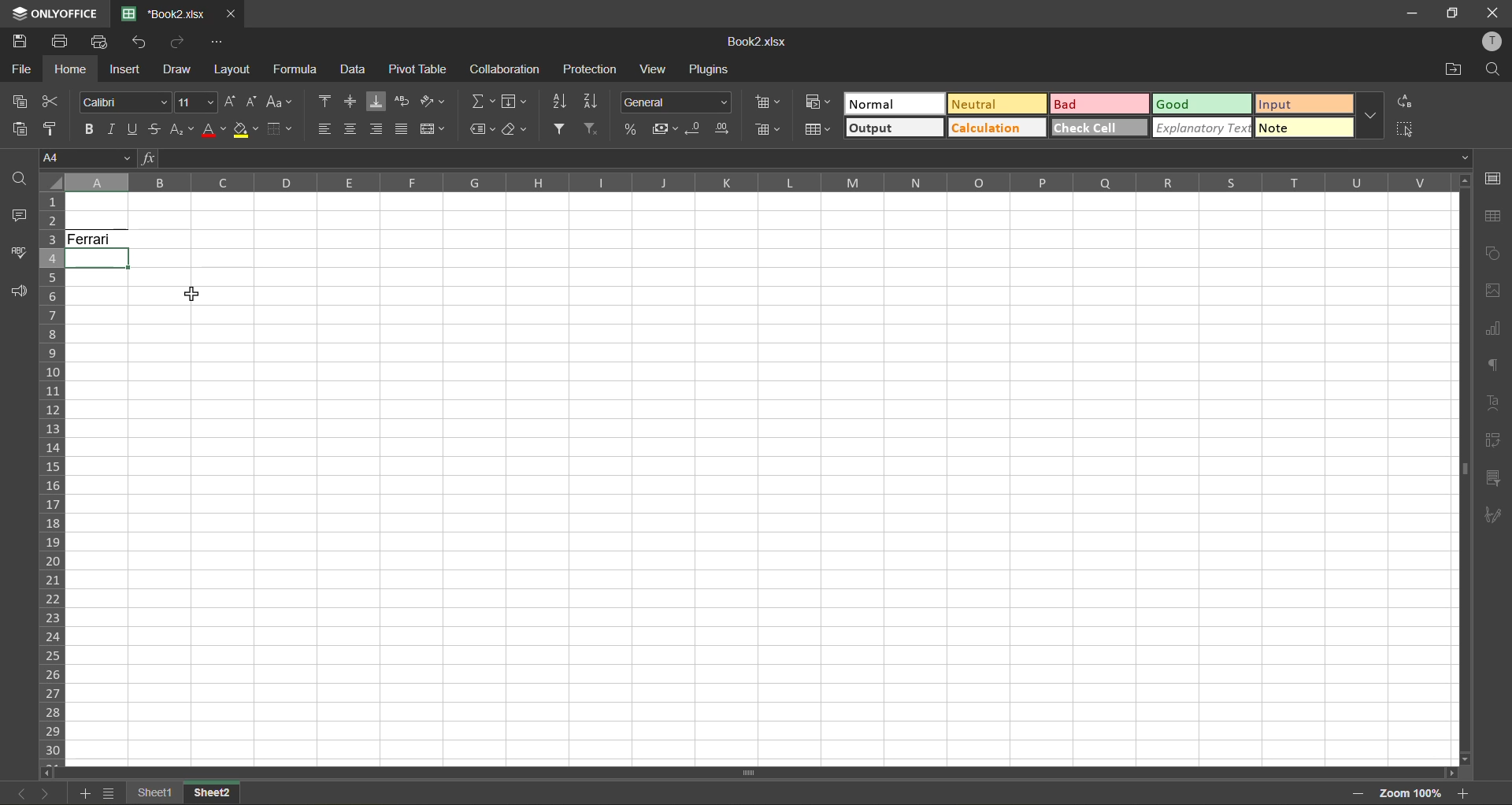  I want to click on neutral, so click(996, 103).